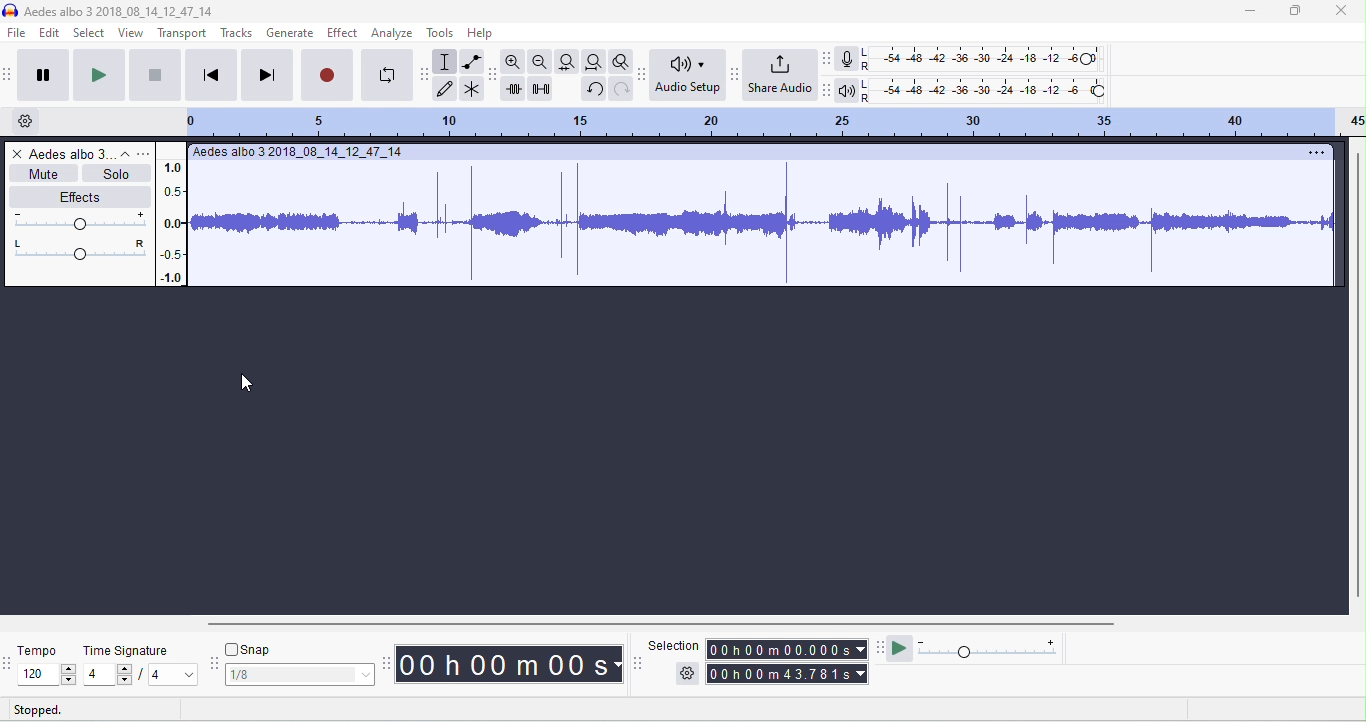 The height and width of the screenshot is (722, 1366). Describe the element at coordinates (673, 644) in the screenshot. I see `selection` at that location.